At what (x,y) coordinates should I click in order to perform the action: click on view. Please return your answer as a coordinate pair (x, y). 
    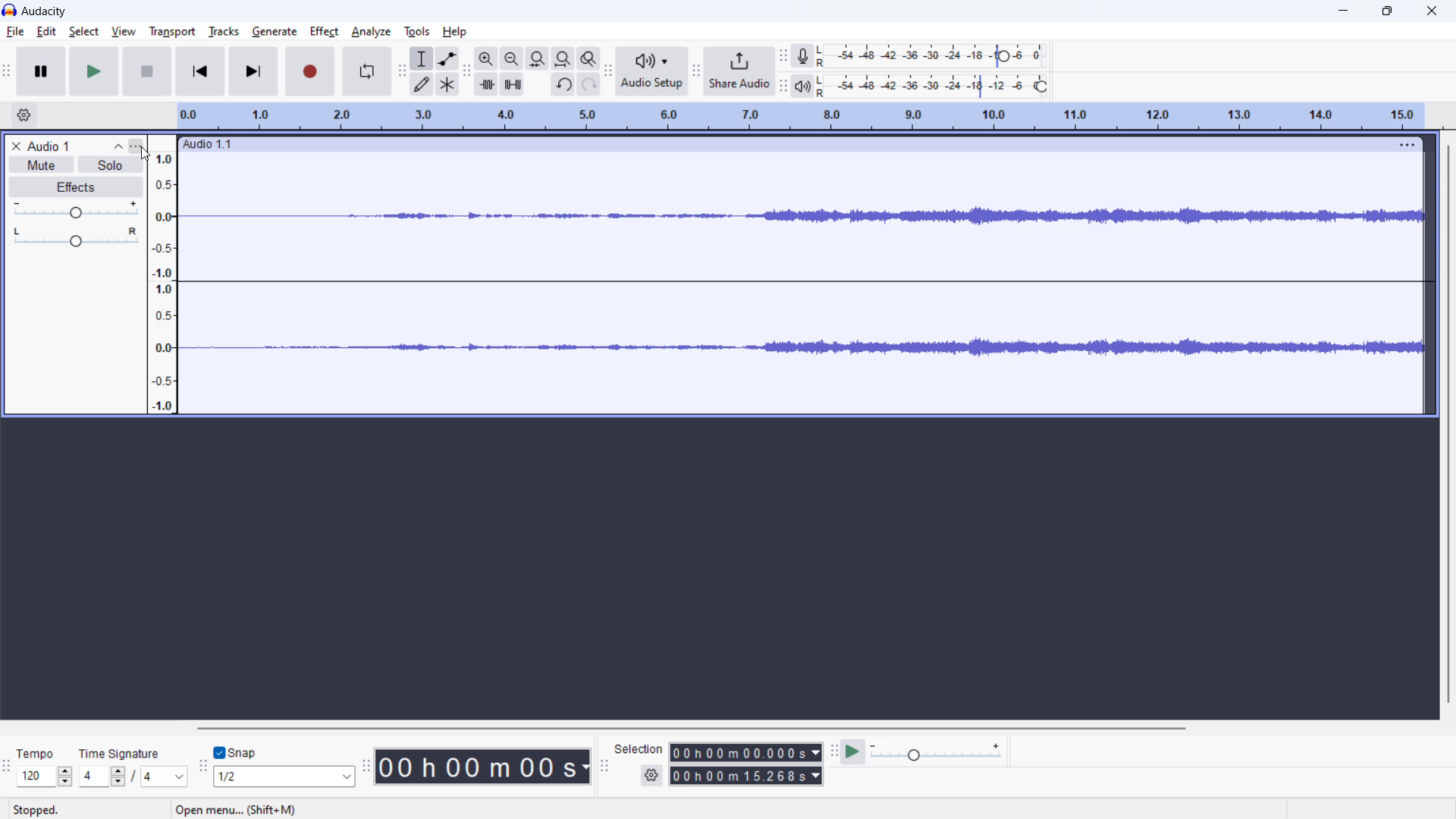
    Looking at the image, I should click on (123, 32).